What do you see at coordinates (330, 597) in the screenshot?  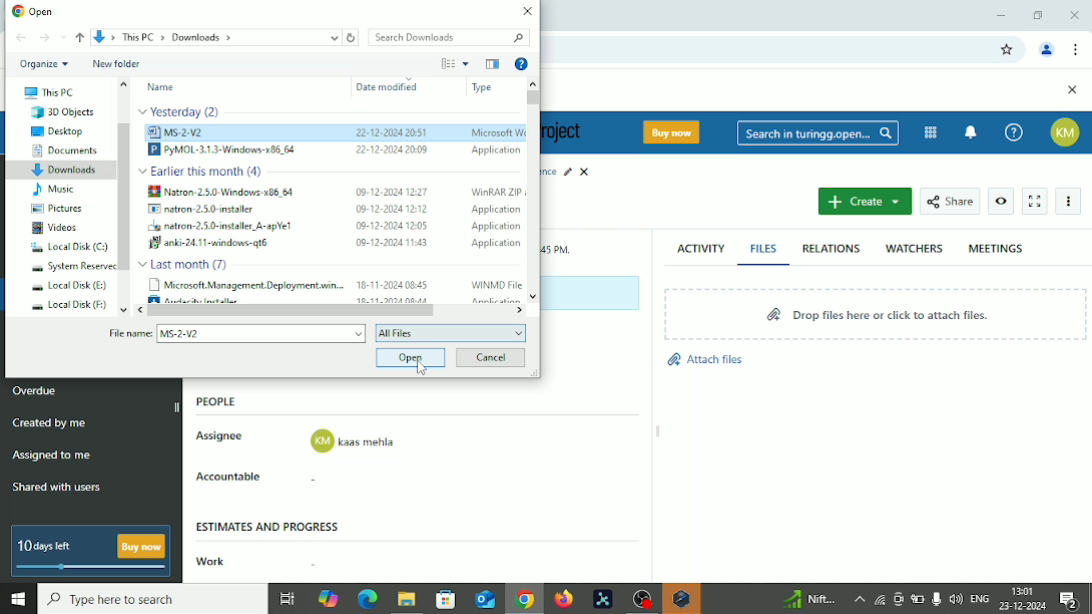 I see `Copilot` at bounding box center [330, 597].